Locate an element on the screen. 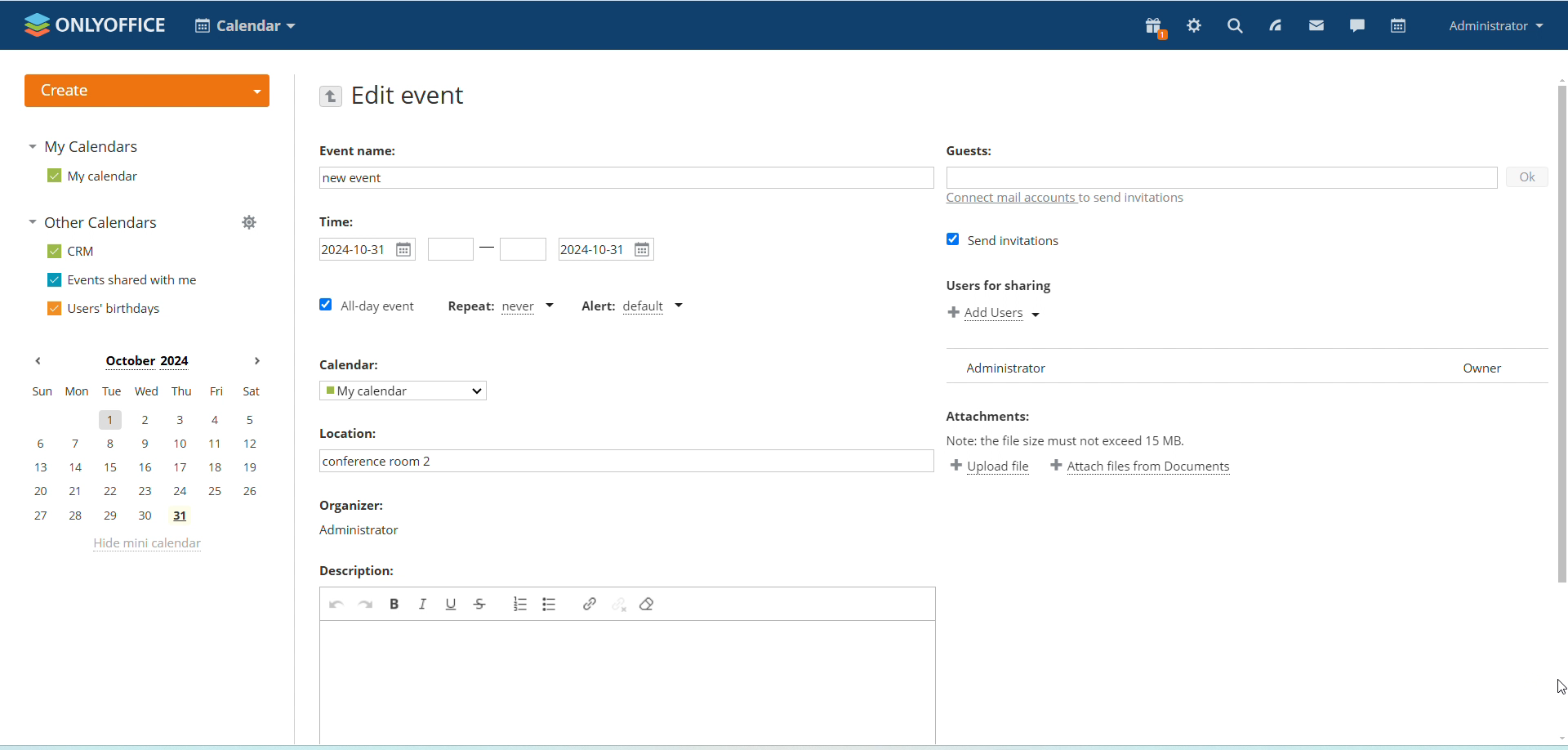 This screenshot has width=1568, height=750. logo is located at coordinates (96, 25).